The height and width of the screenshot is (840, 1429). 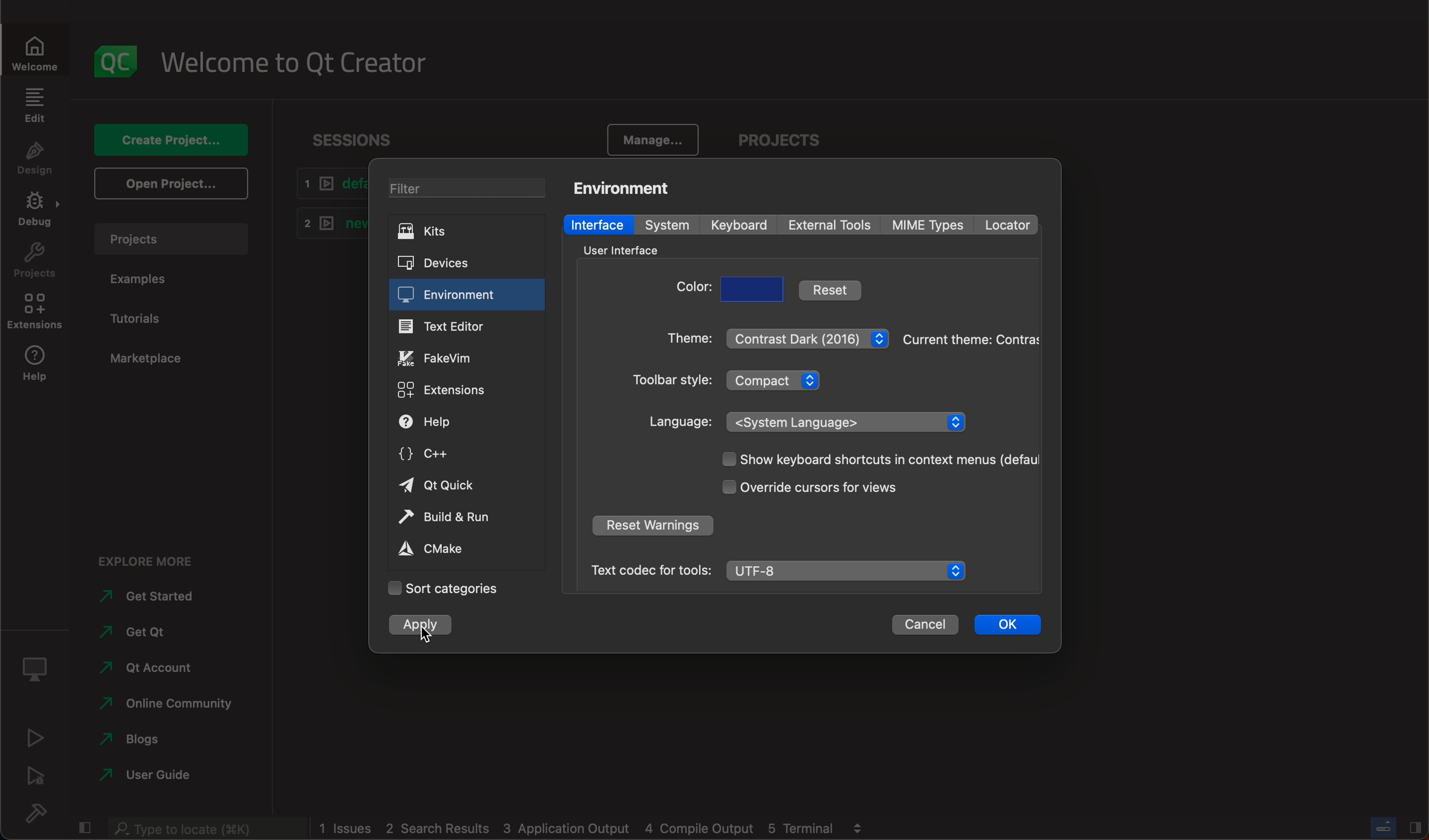 What do you see at coordinates (145, 667) in the screenshot?
I see `qt` at bounding box center [145, 667].